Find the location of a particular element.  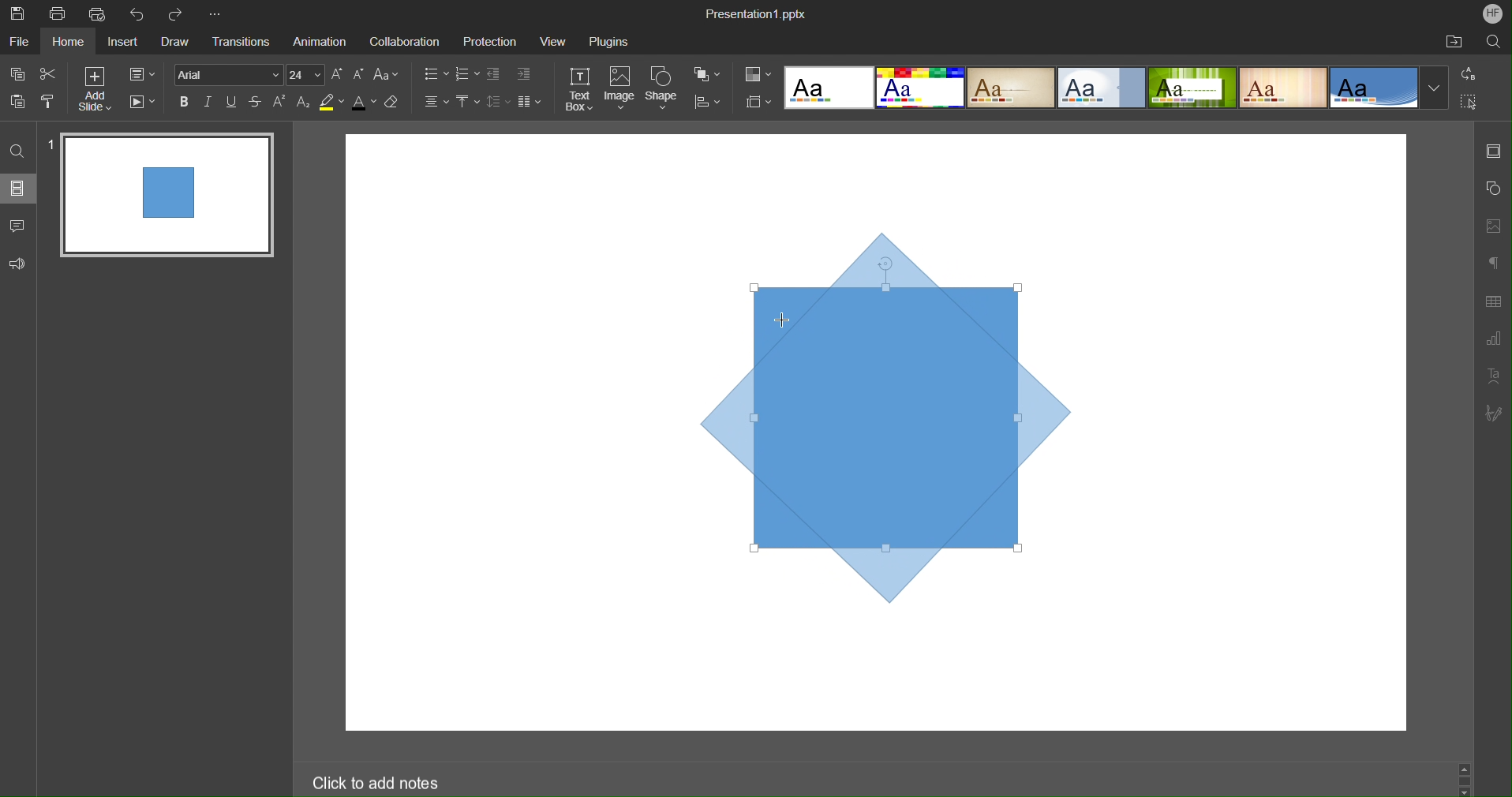

Increase Indent is located at coordinates (525, 74).